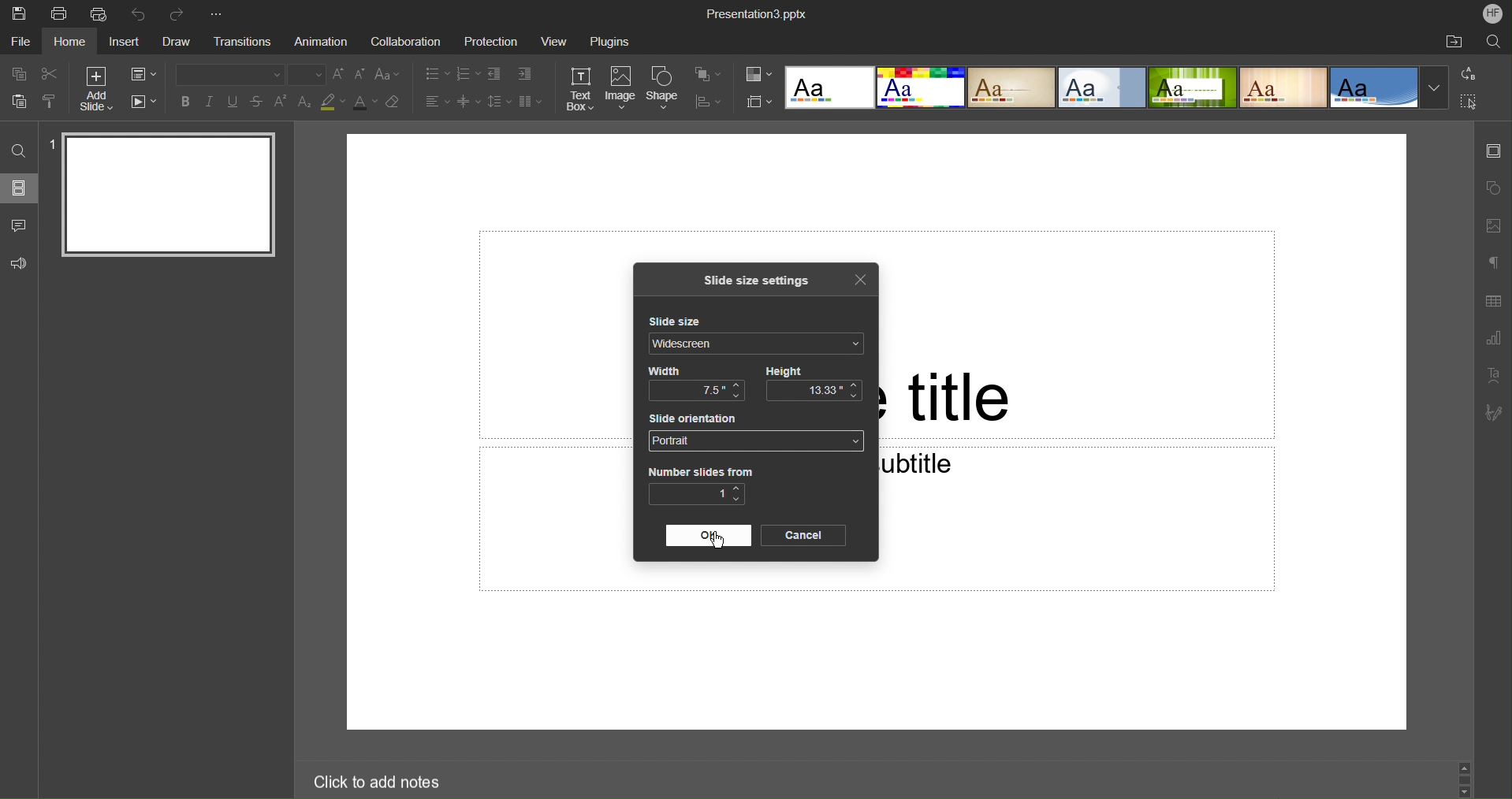  I want to click on Open File Location, so click(1453, 43).